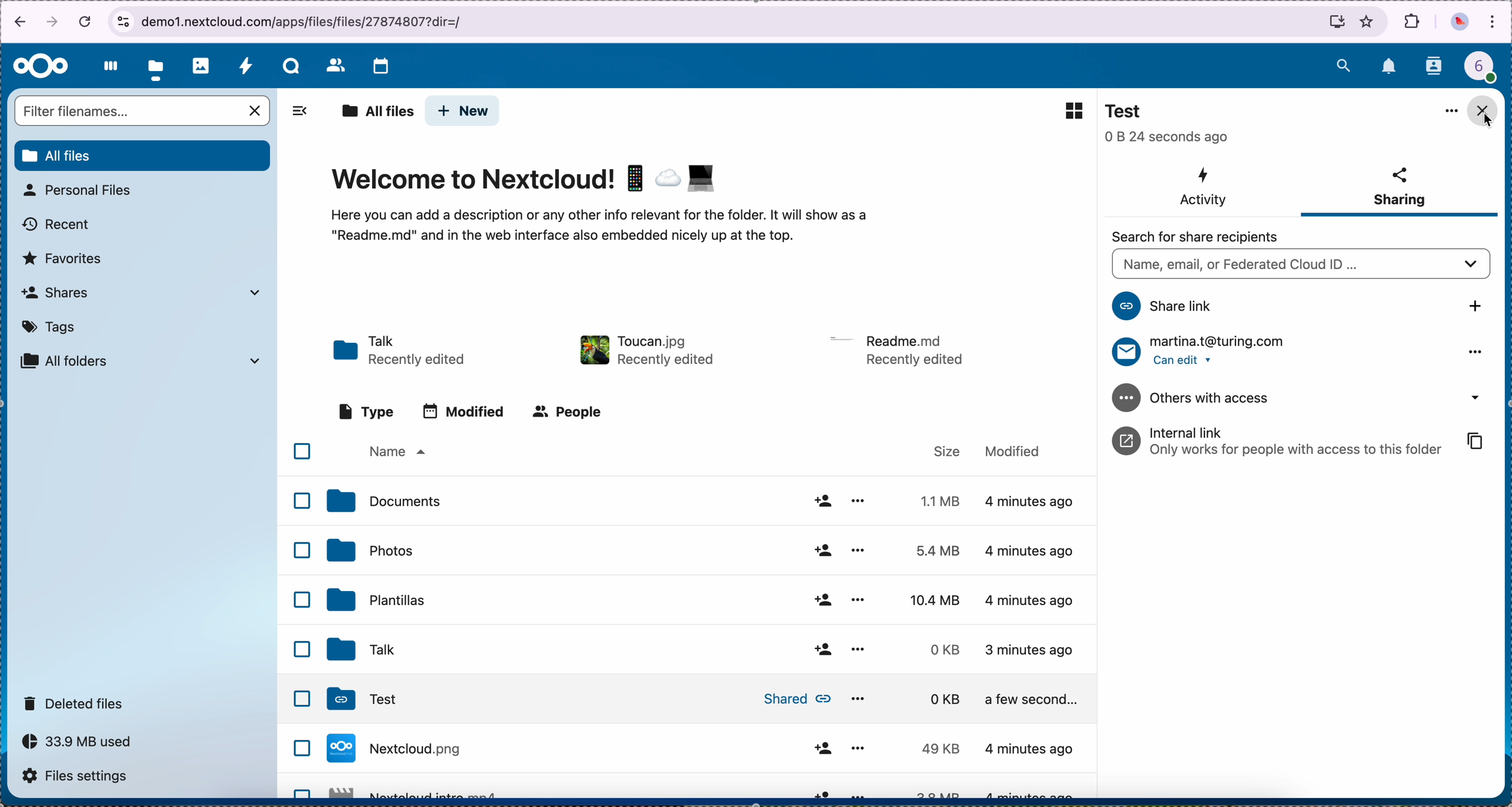 The width and height of the screenshot is (1512, 807). I want to click on Talk, so click(699, 650).